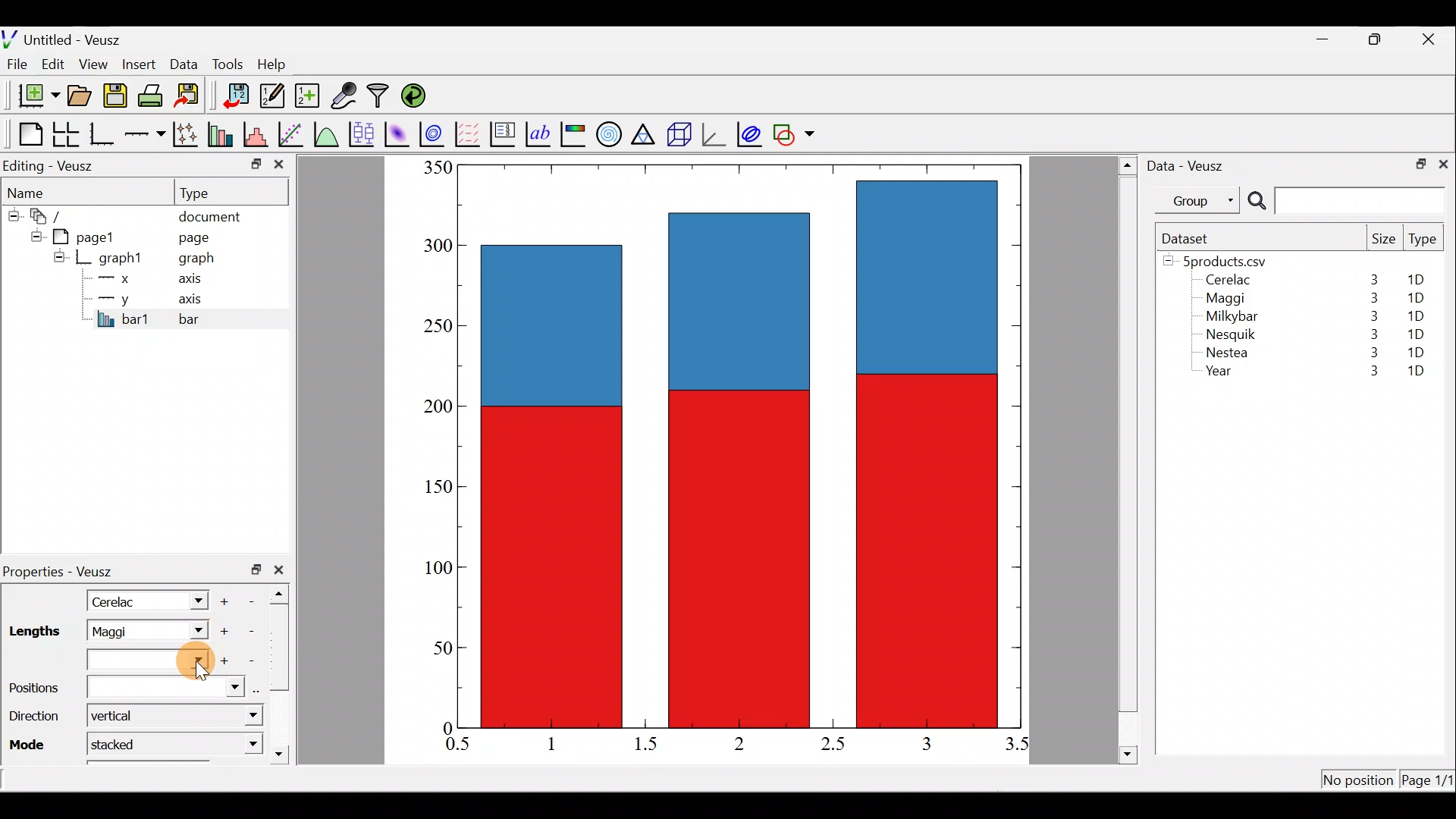  I want to click on 0, so click(445, 727).